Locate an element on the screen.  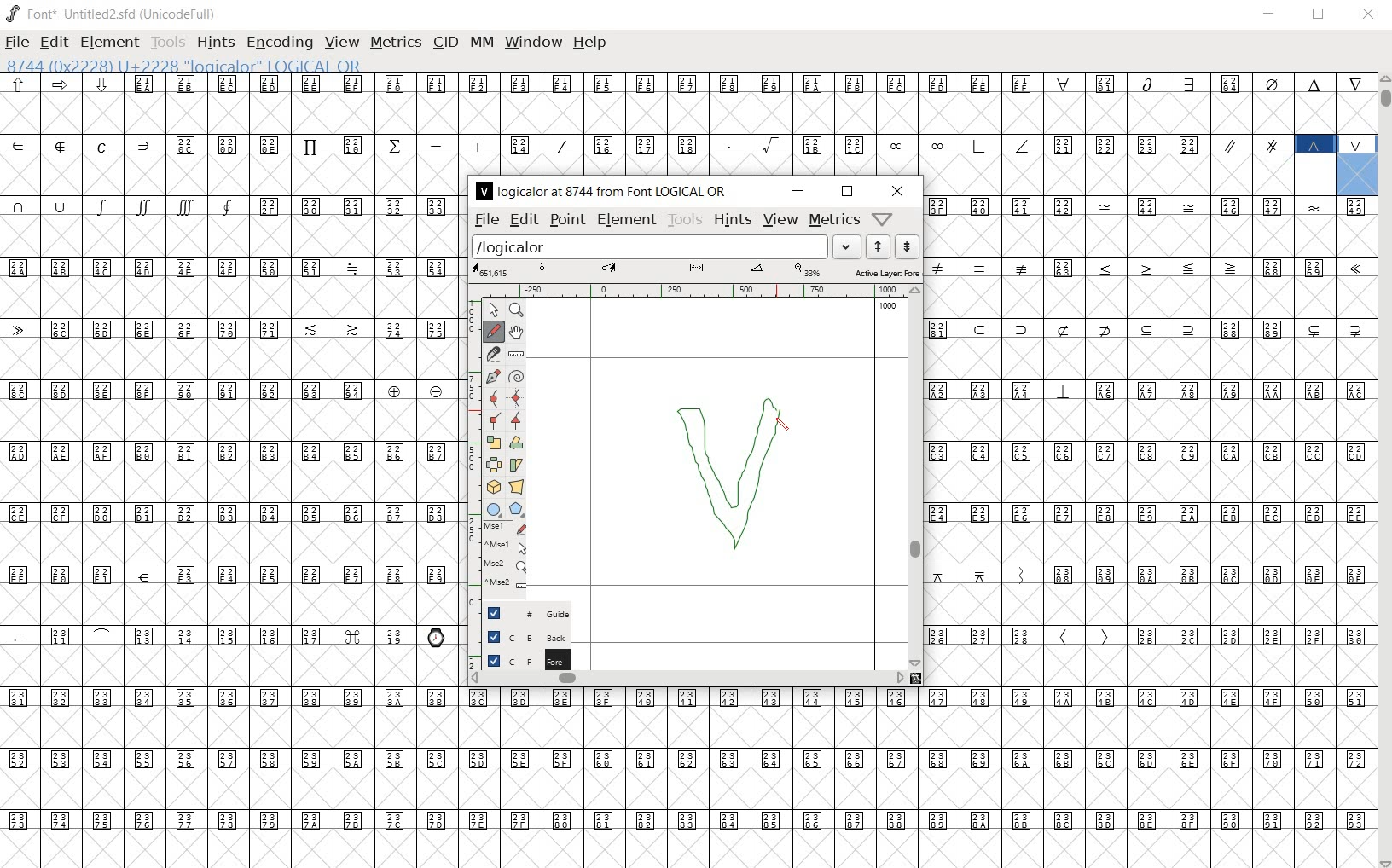
measure a distance, angle between points is located at coordinates (516, 354).